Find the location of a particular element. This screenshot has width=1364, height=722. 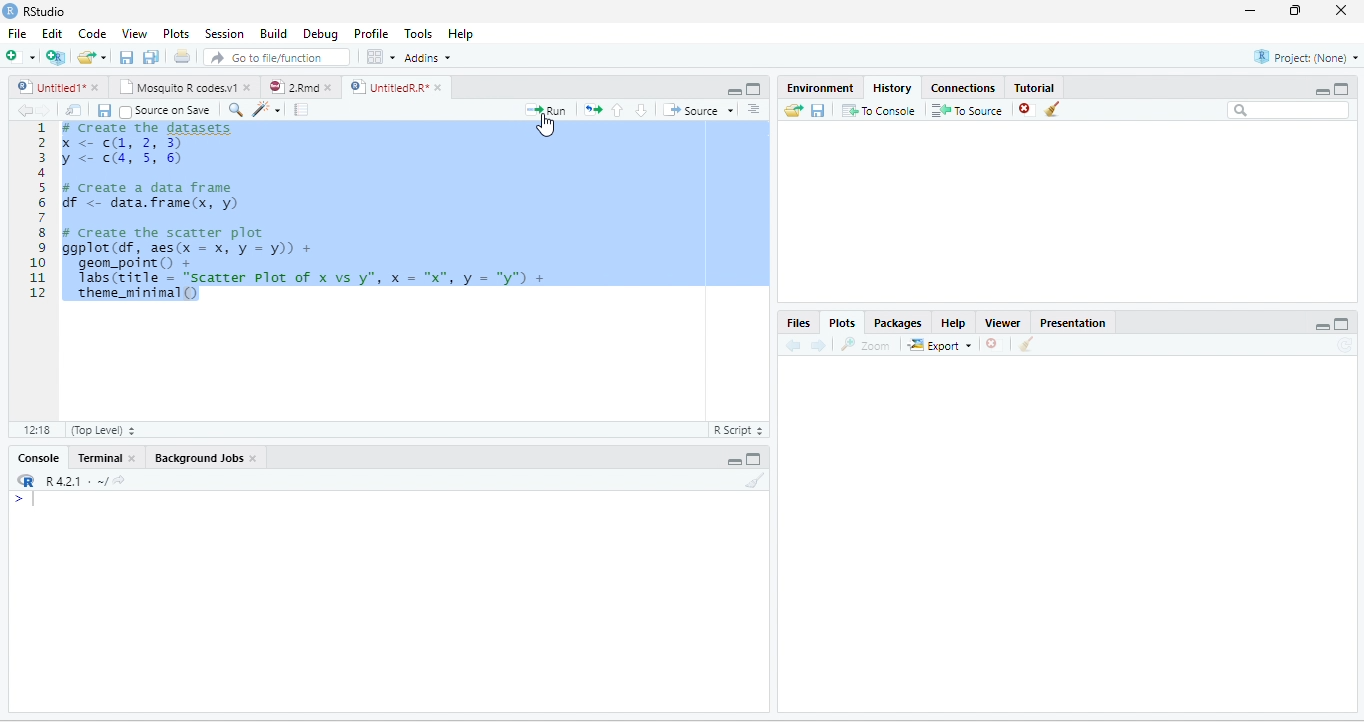

Go forward to next source location is located at coordinates (44, 111).